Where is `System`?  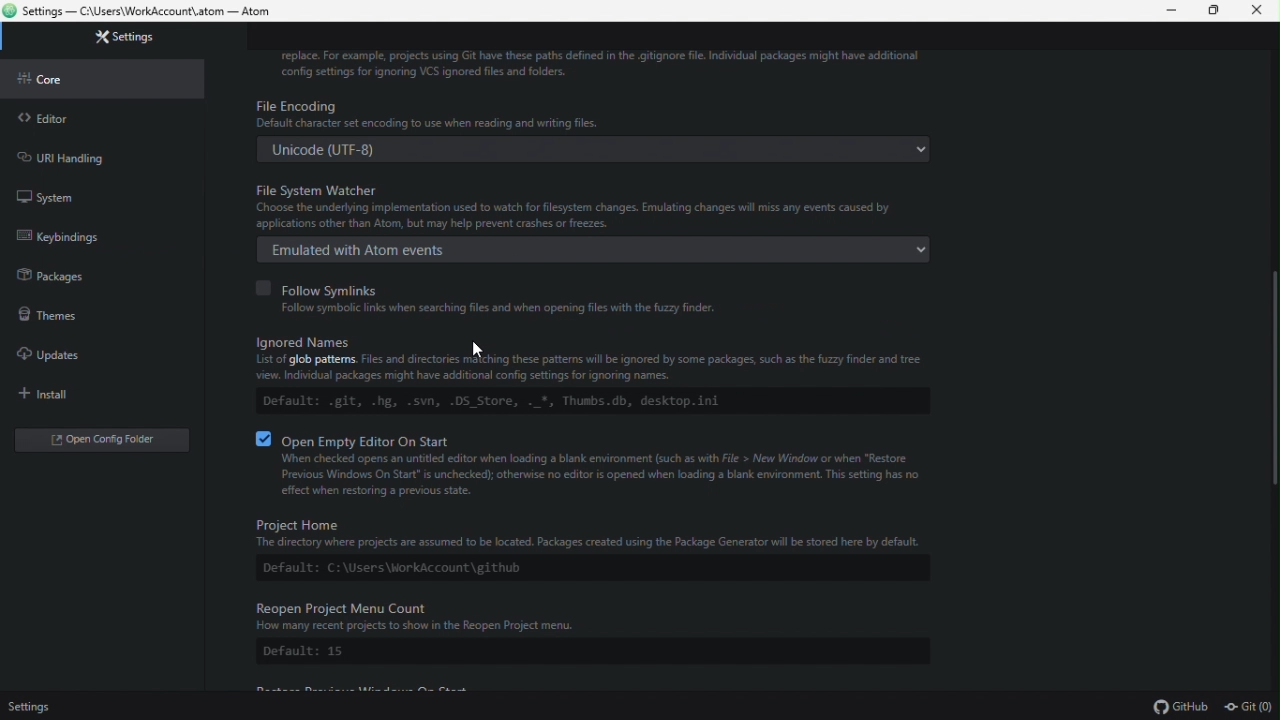
System is located at coordinates (98, 192).